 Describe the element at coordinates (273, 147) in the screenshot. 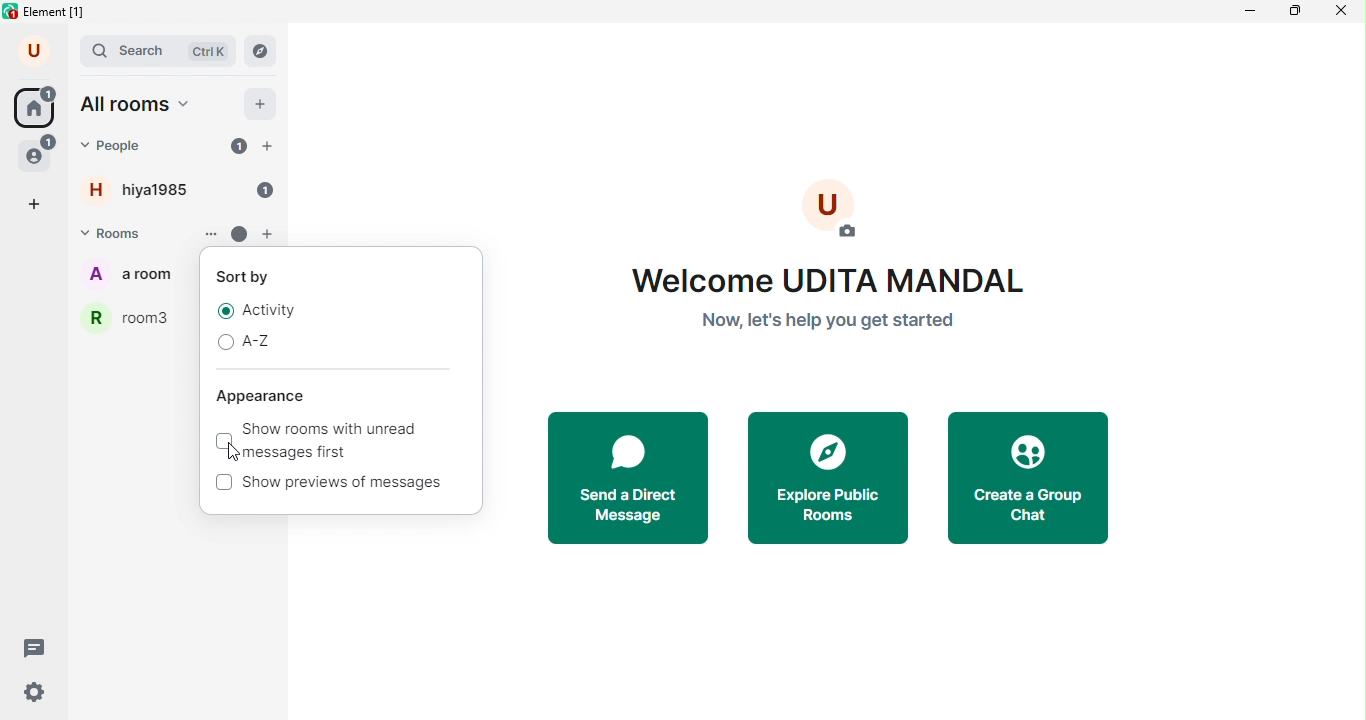

I see `add people` at that location.